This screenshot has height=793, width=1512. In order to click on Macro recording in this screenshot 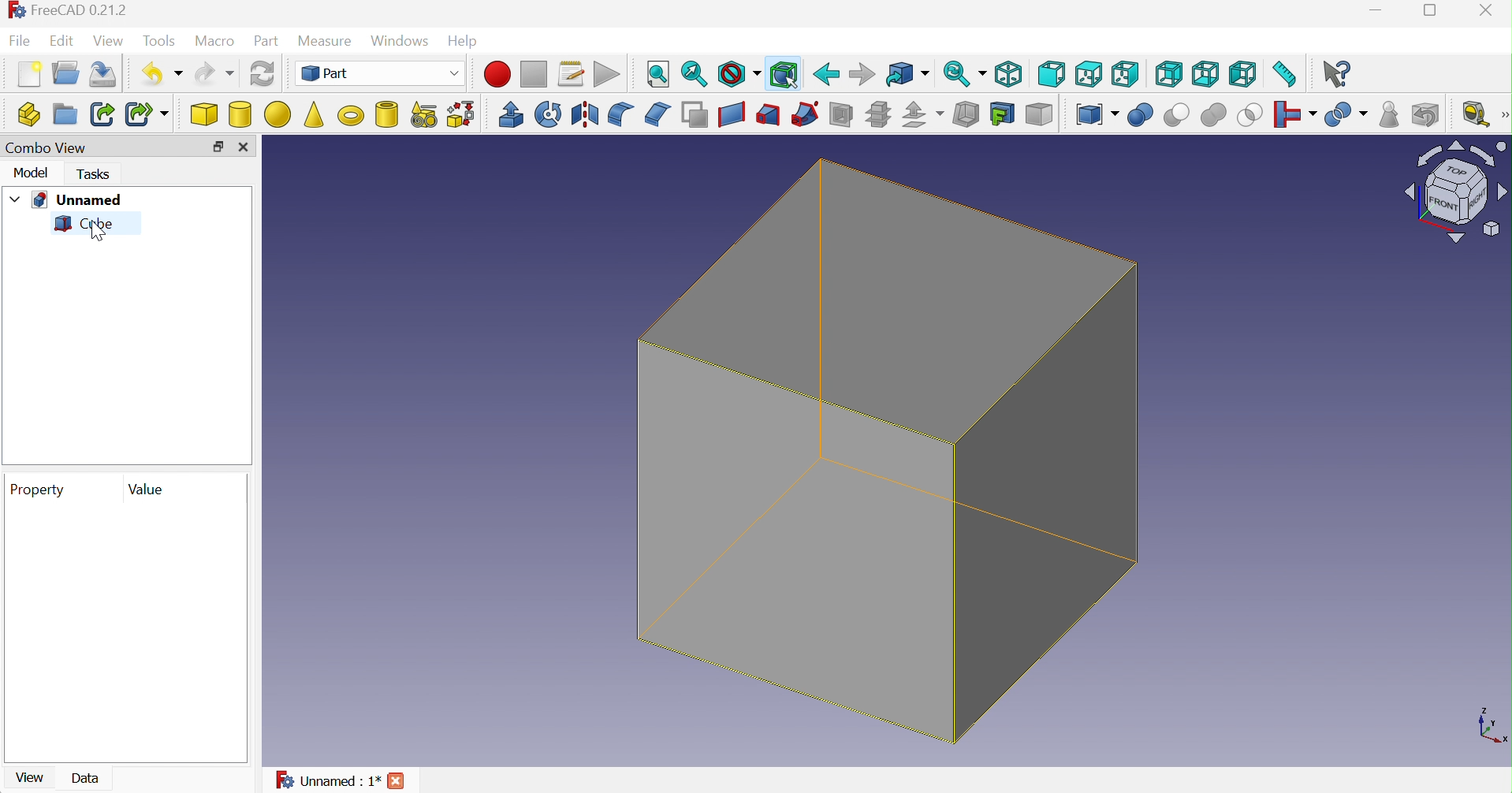, I will do `click(497, 74)`.